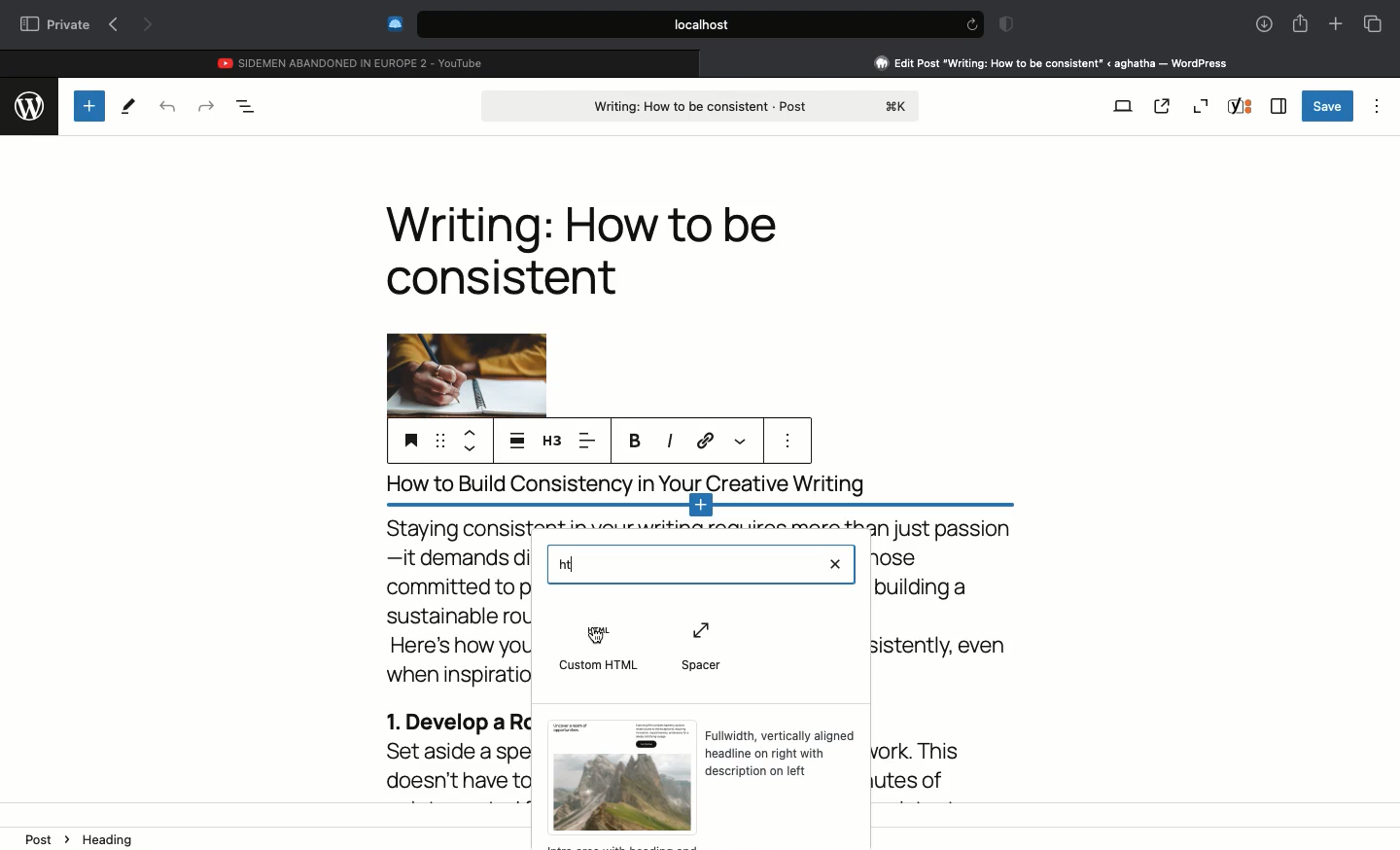 This screenshot has height=850, width=1400. I want to click on title, so click(695, 482).